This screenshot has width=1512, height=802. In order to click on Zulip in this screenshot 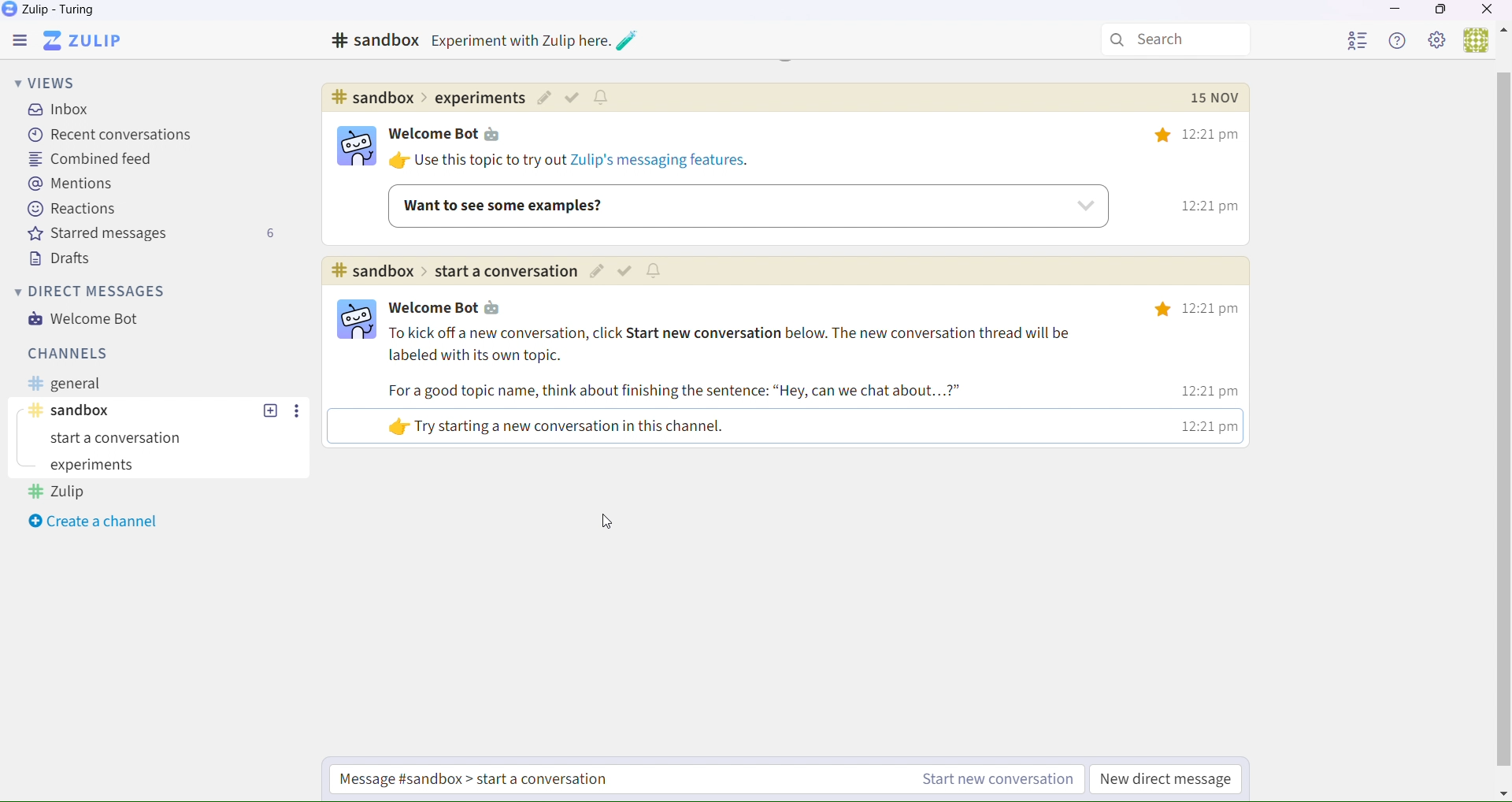, I will do `click(54, 12)`.